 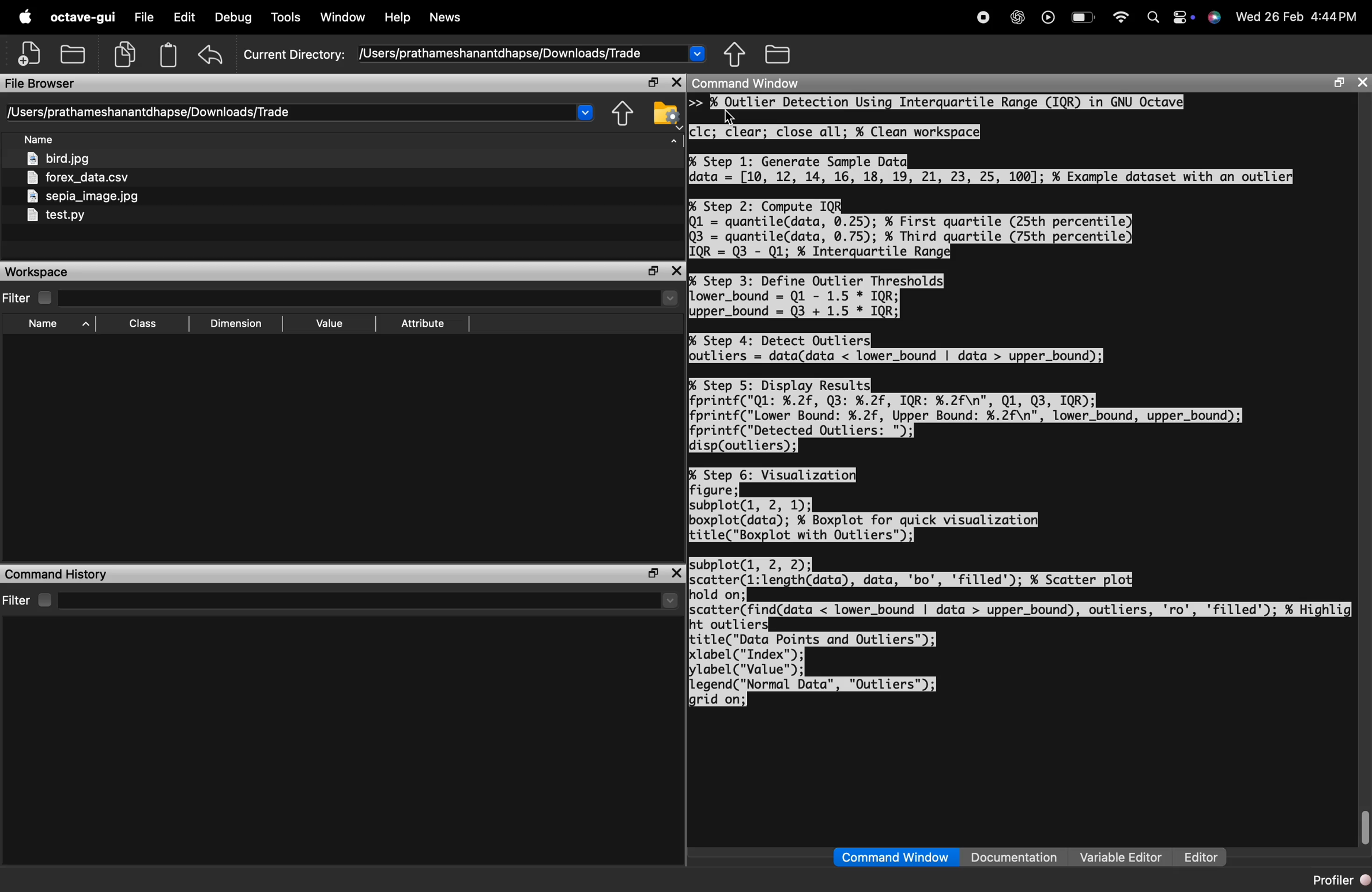 I want to click on Value, so click(x=330, y=324).